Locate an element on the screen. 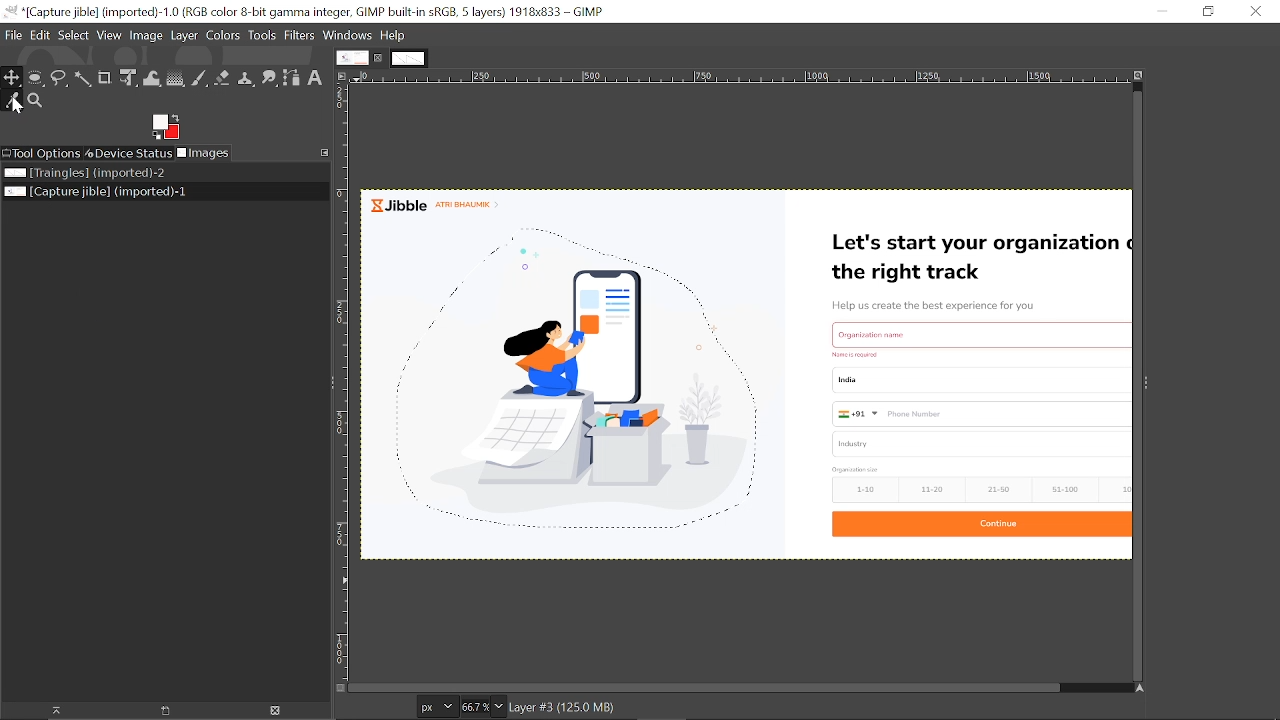  Side bar menu is located at coordinates (1145, 385).